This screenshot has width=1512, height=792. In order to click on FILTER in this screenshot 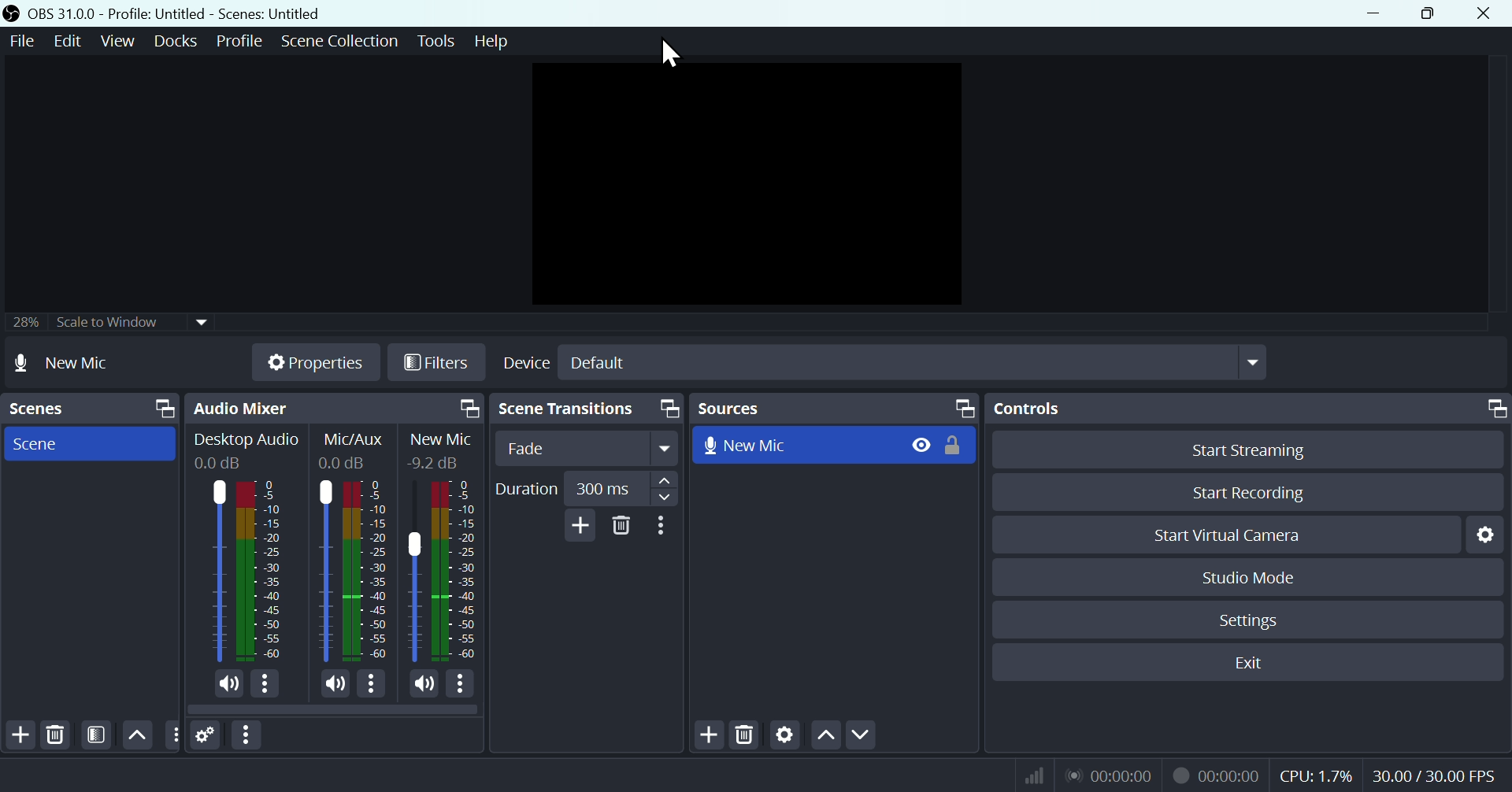, I will do `click(94, 735)`.